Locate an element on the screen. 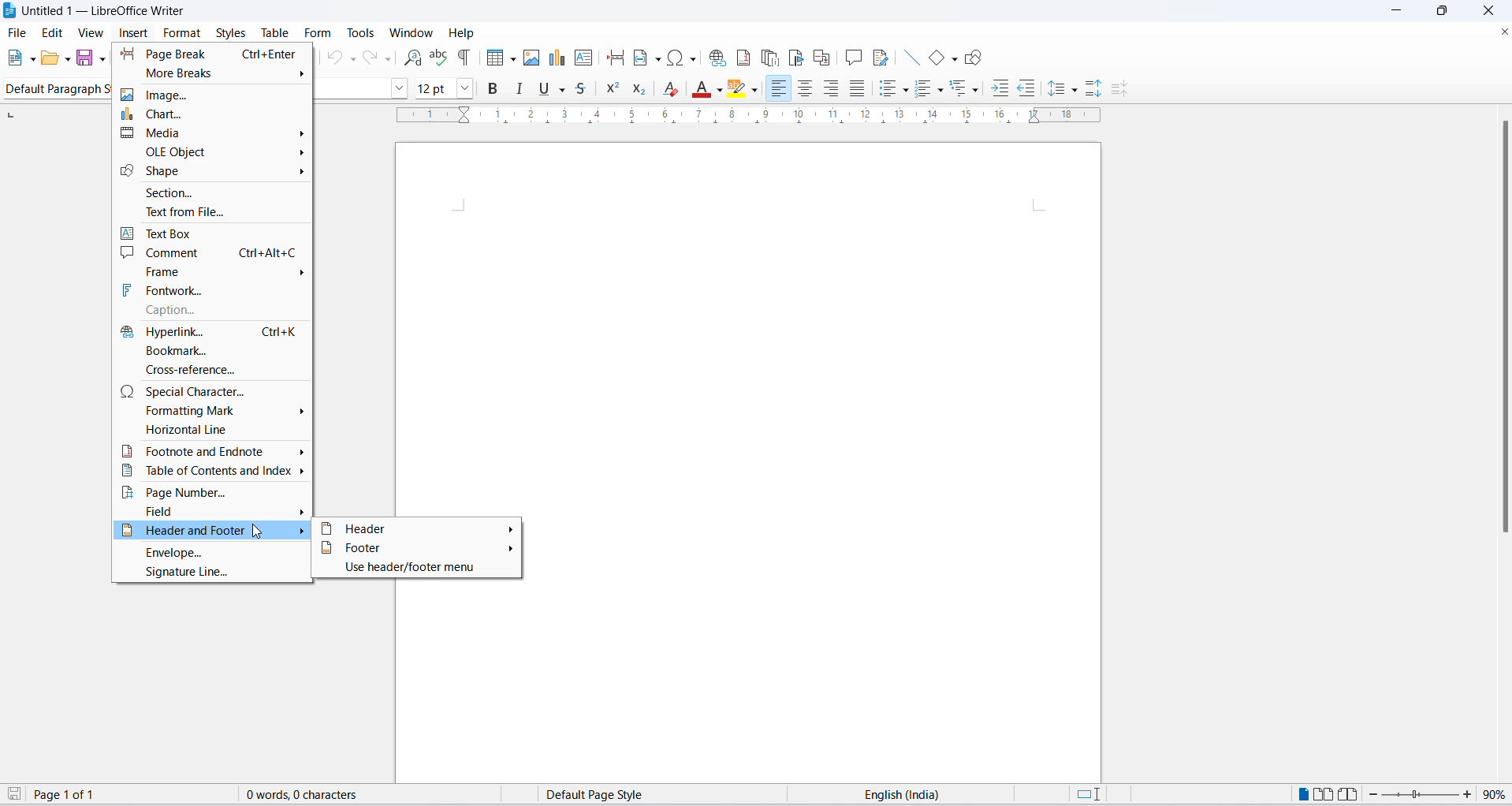 This screenshot has width=1512, height=806. outline format options is located at coordinates (975, 91).